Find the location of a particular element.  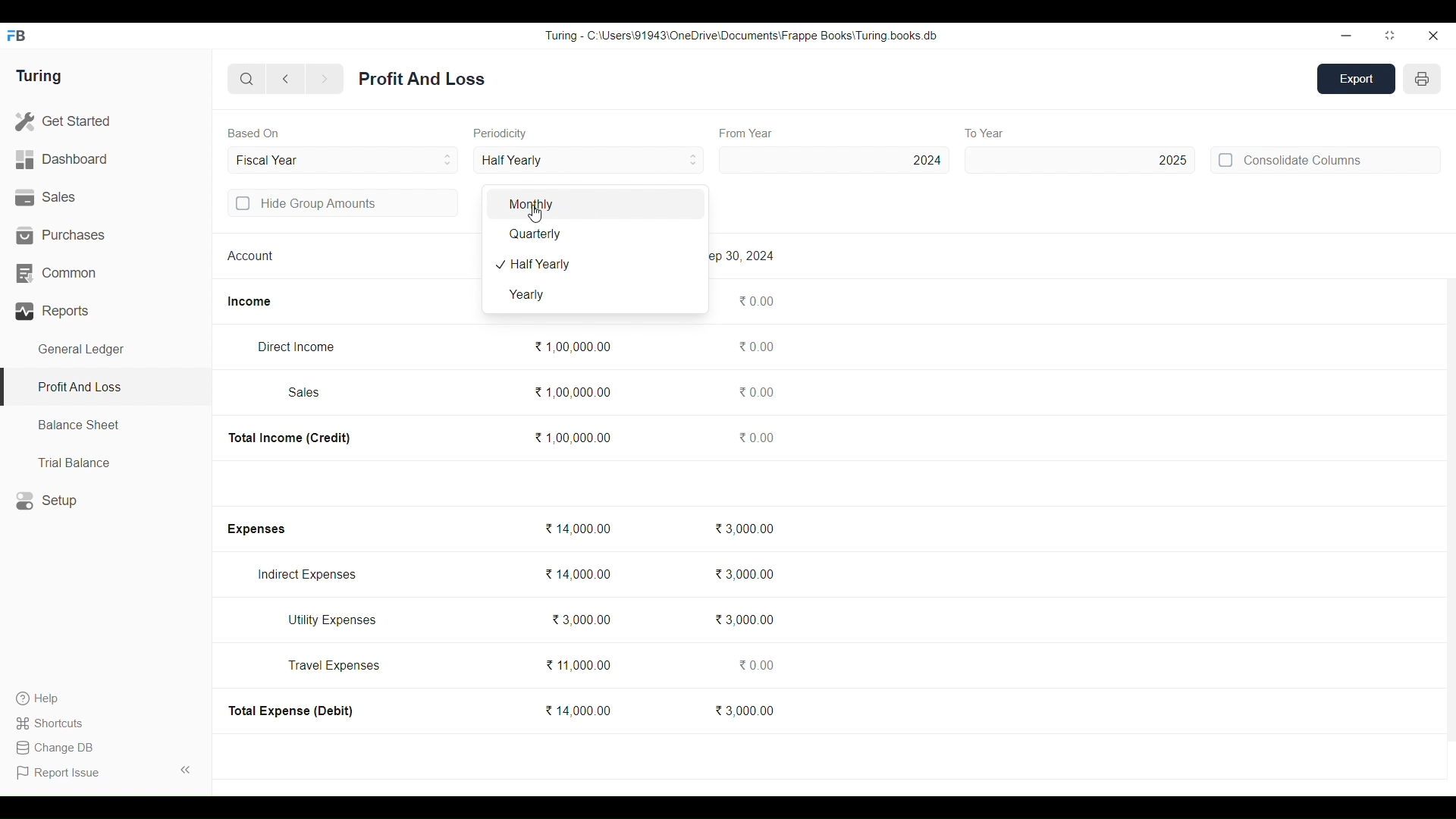

3,000.00 is located at coordinates (580, 620).